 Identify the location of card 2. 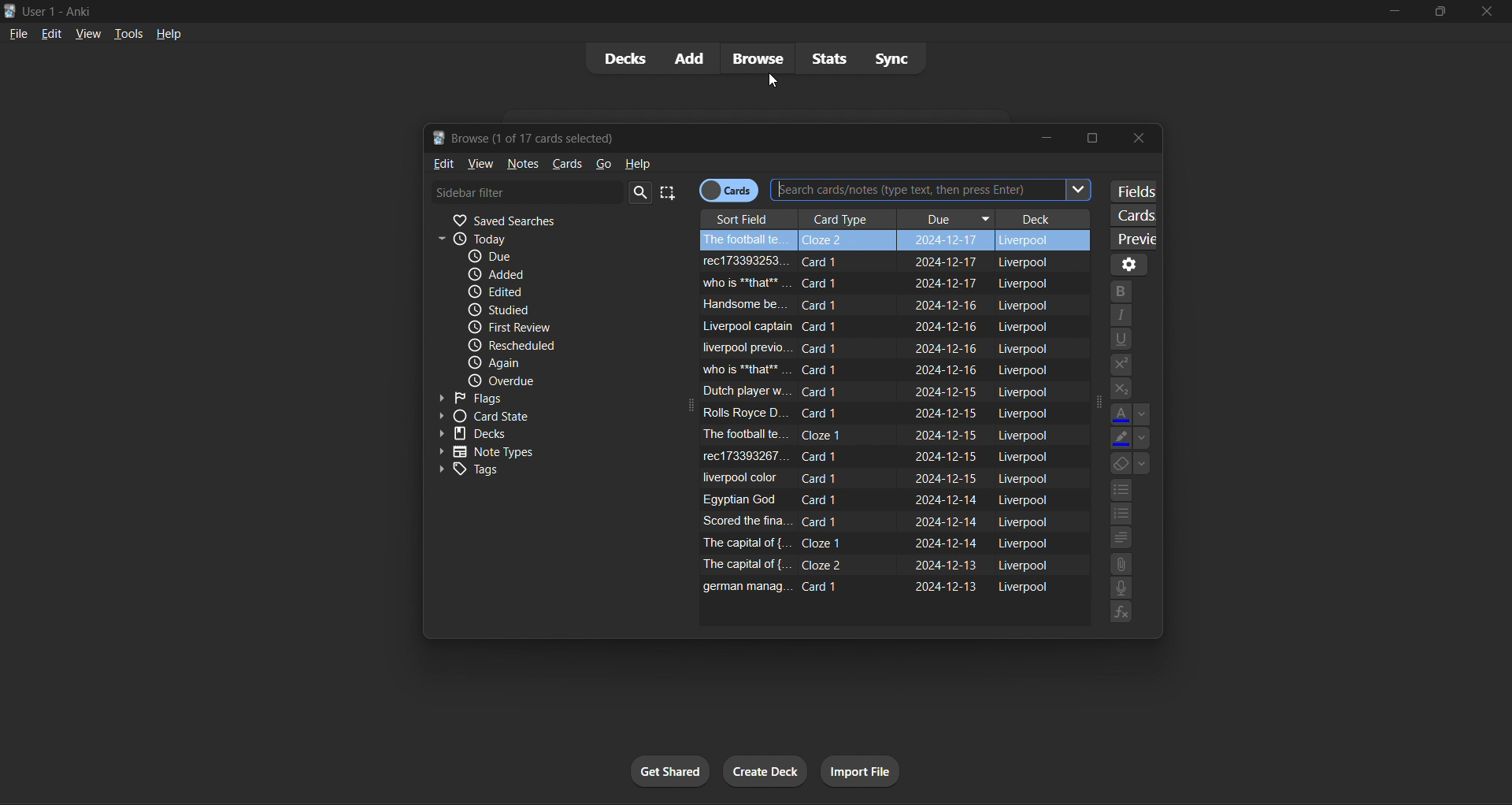
(848, 240).